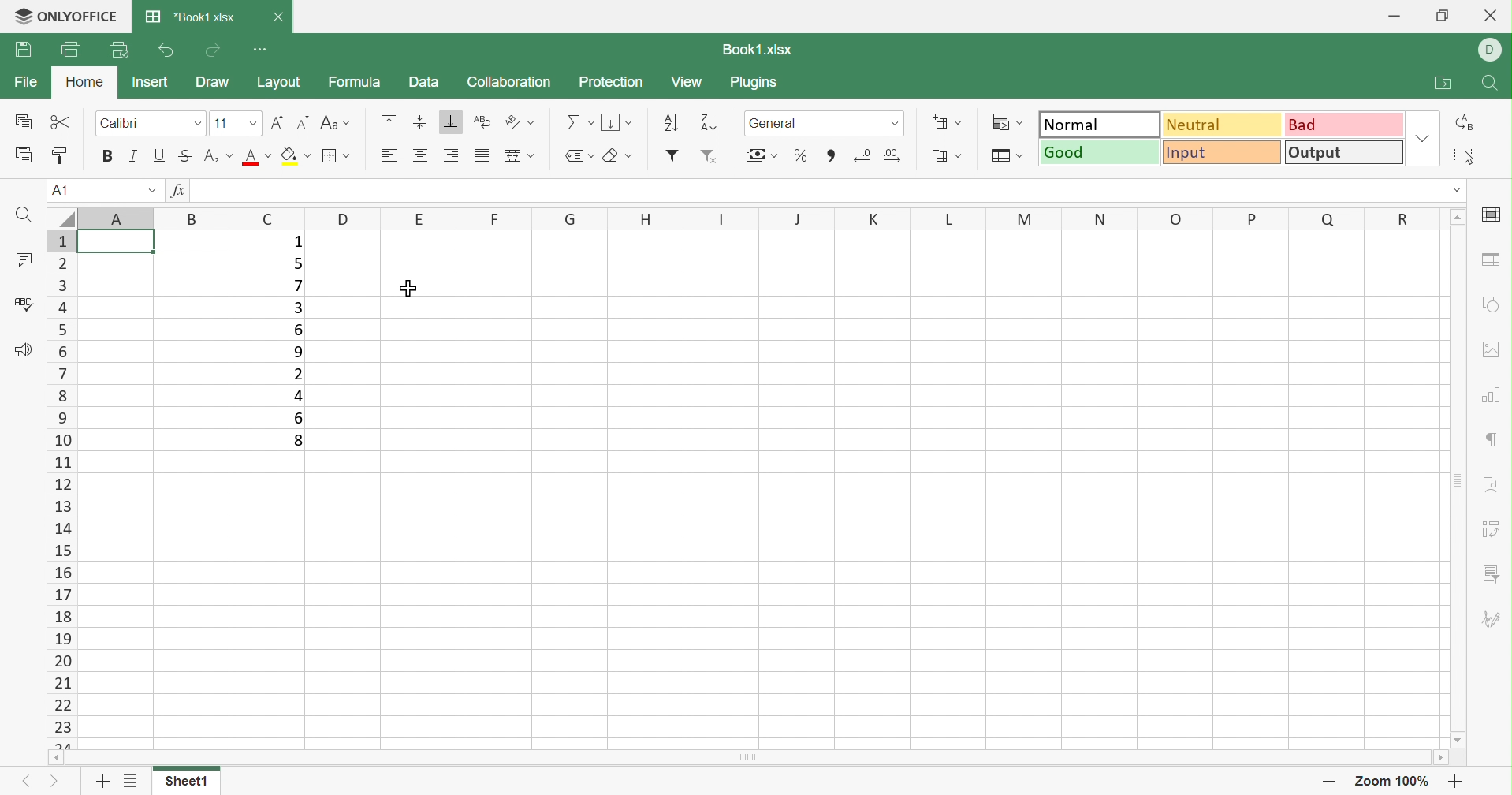  Describe the element at coordinates (221, 155) in the screenshot. I see `Superscript / subscript` at that location.